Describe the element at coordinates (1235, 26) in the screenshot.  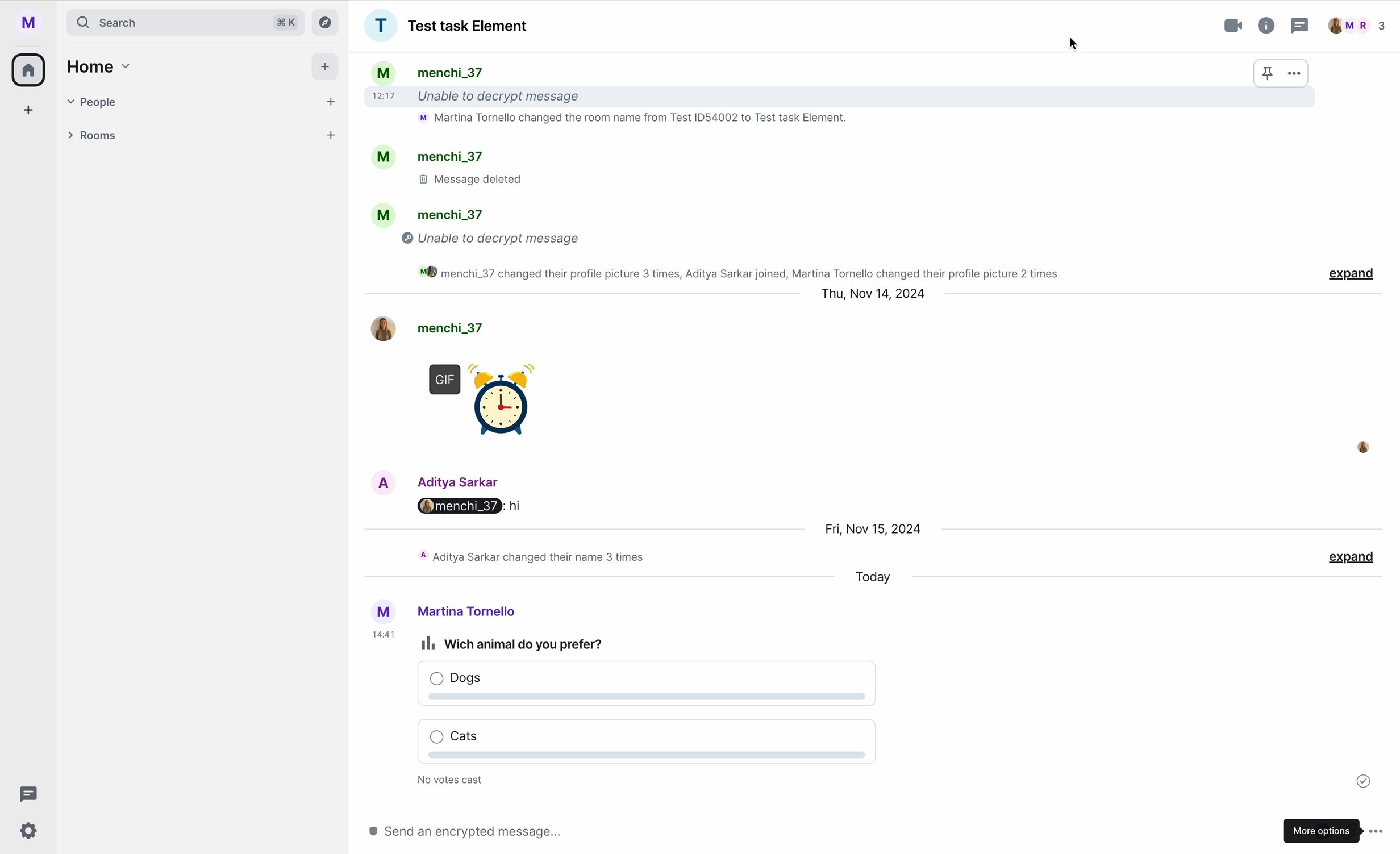
I see `video call` at that location.